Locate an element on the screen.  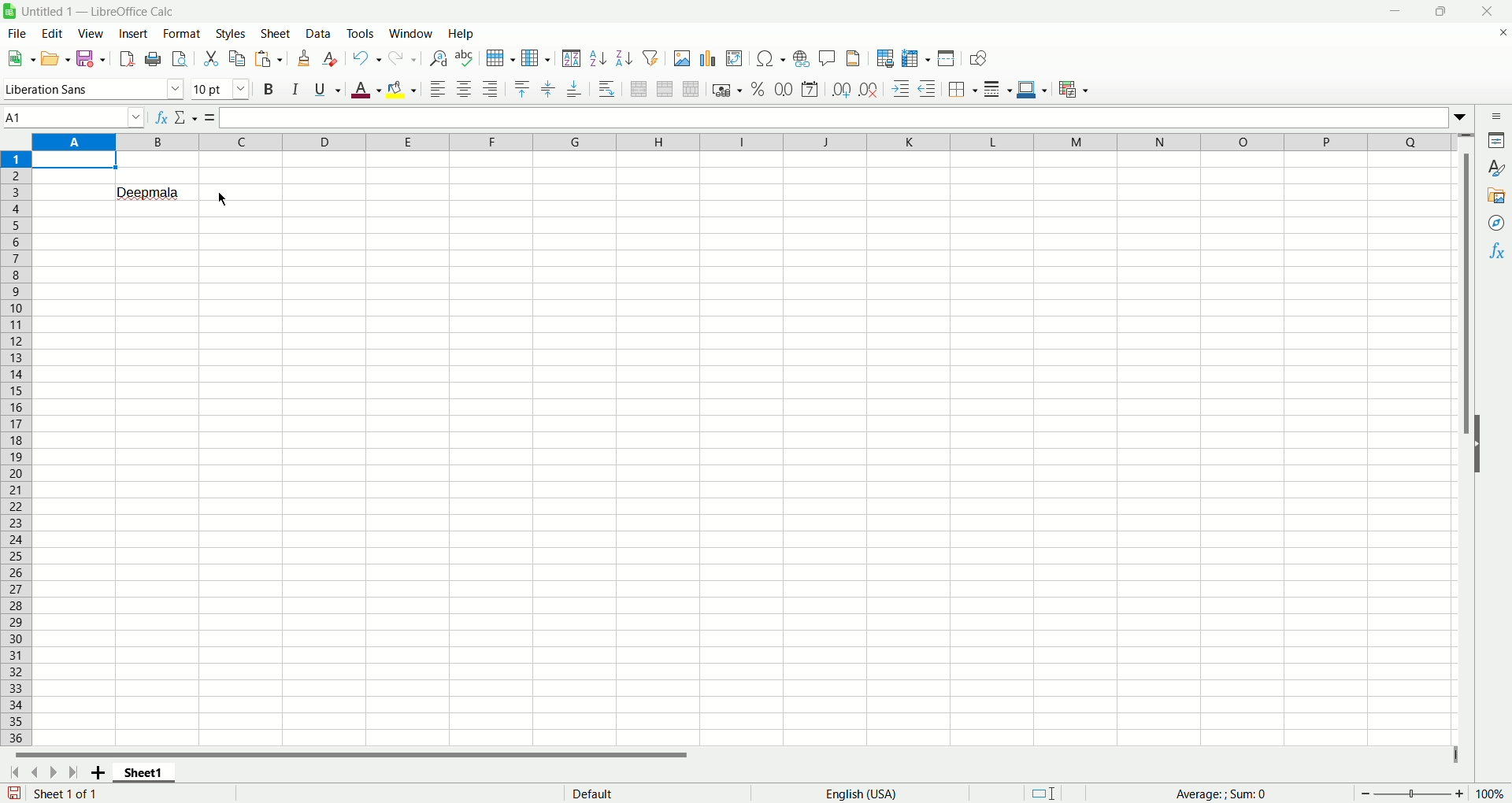
New is located at coordinates (20, 57).